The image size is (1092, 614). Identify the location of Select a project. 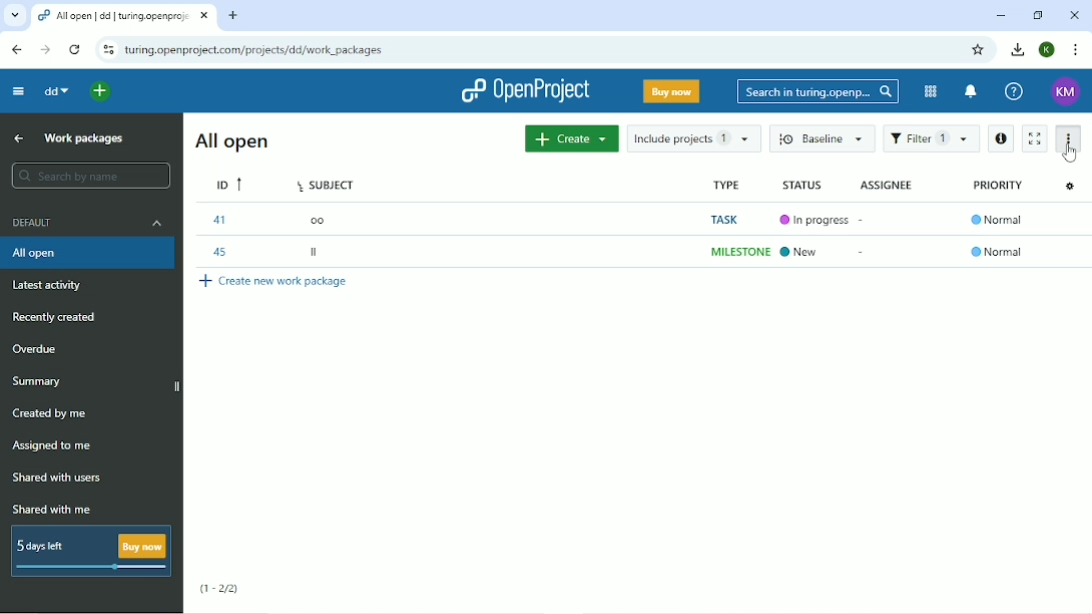
(99, 92).